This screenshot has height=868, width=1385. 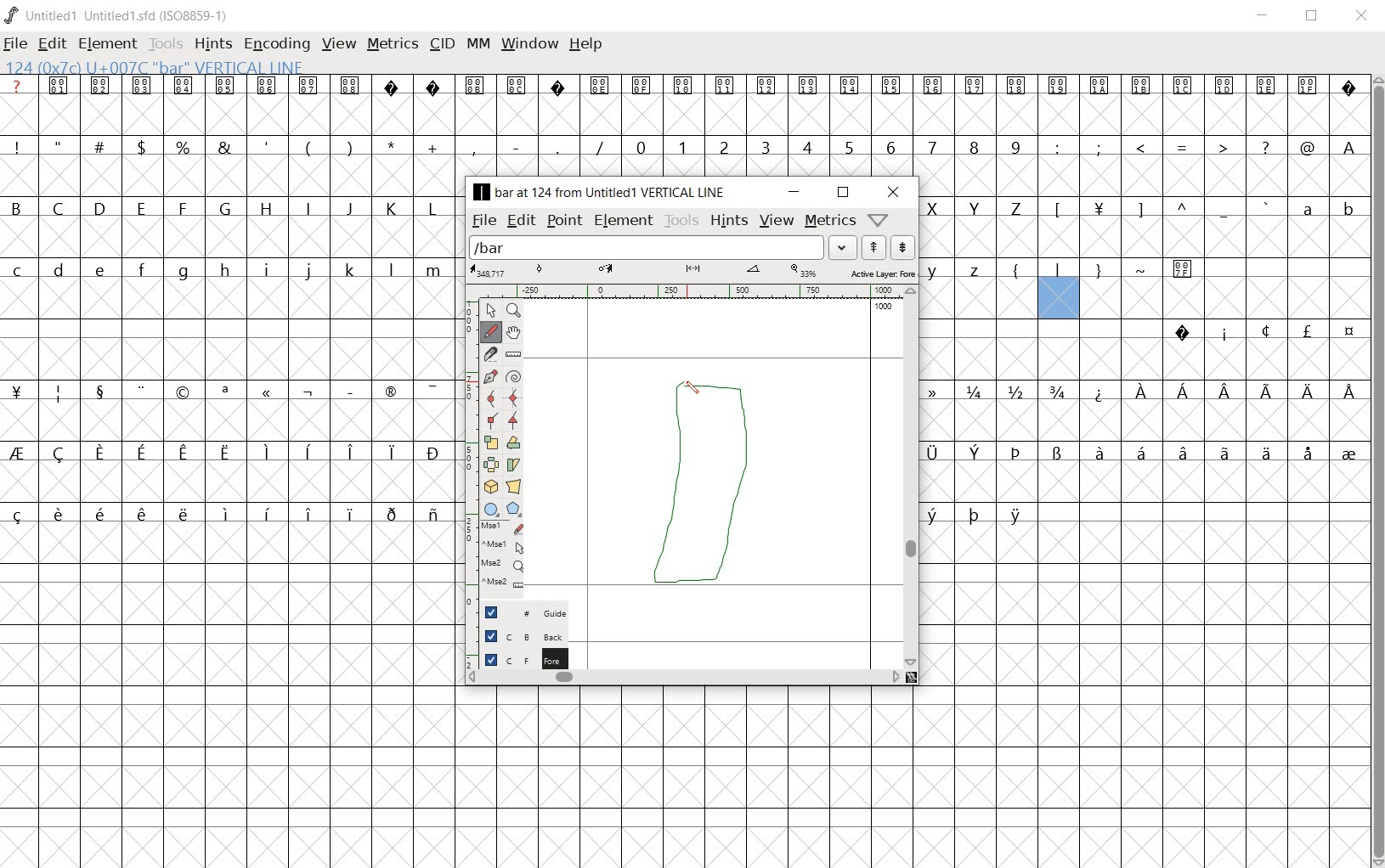 I want to click on foreground, so click(x=517, y=657).